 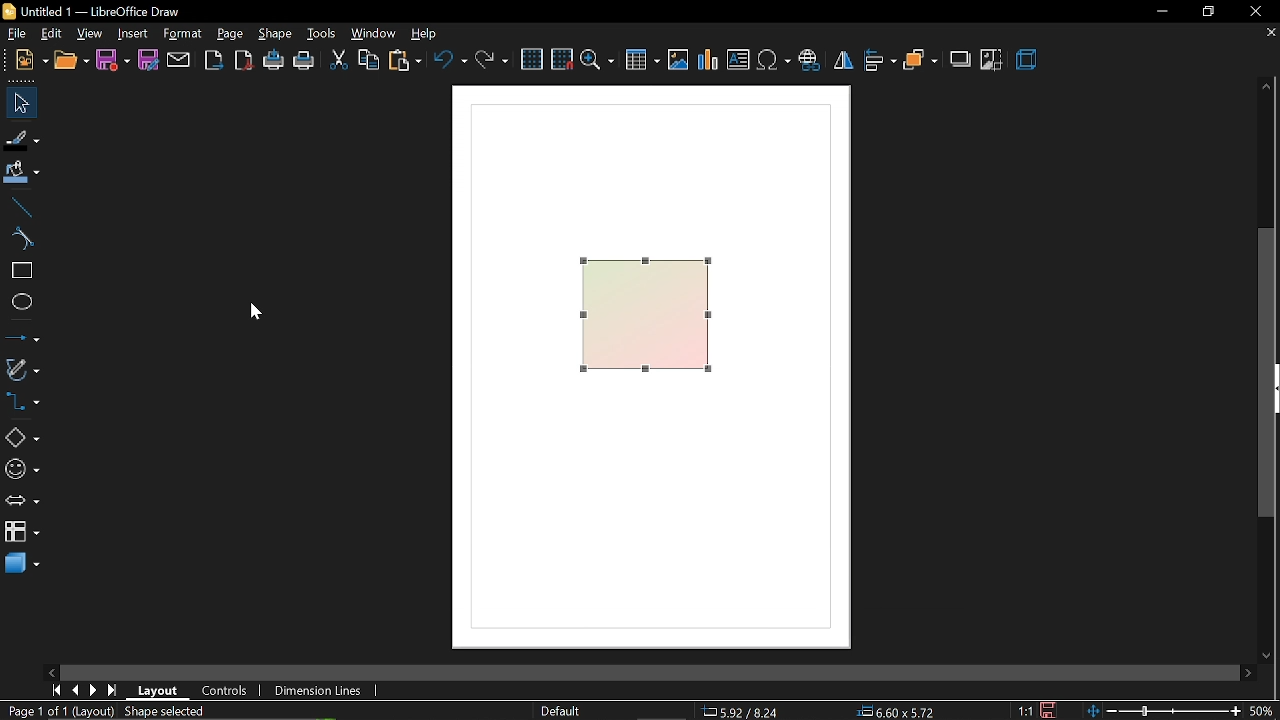 What do you see at coordinates (57, 712) in the screenshot?
I see `current page (Page 1 of 1 (Layout))` at bounding box center [57, 712].